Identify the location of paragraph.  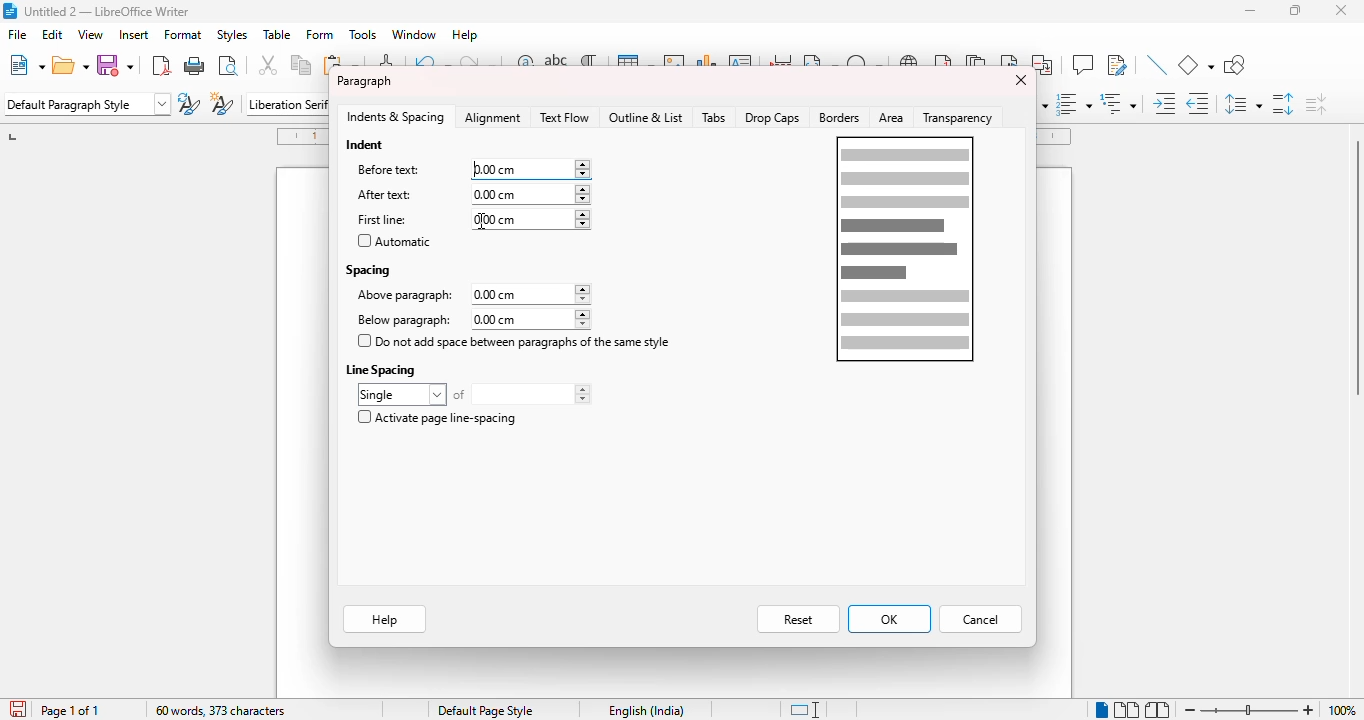
(364, 81).